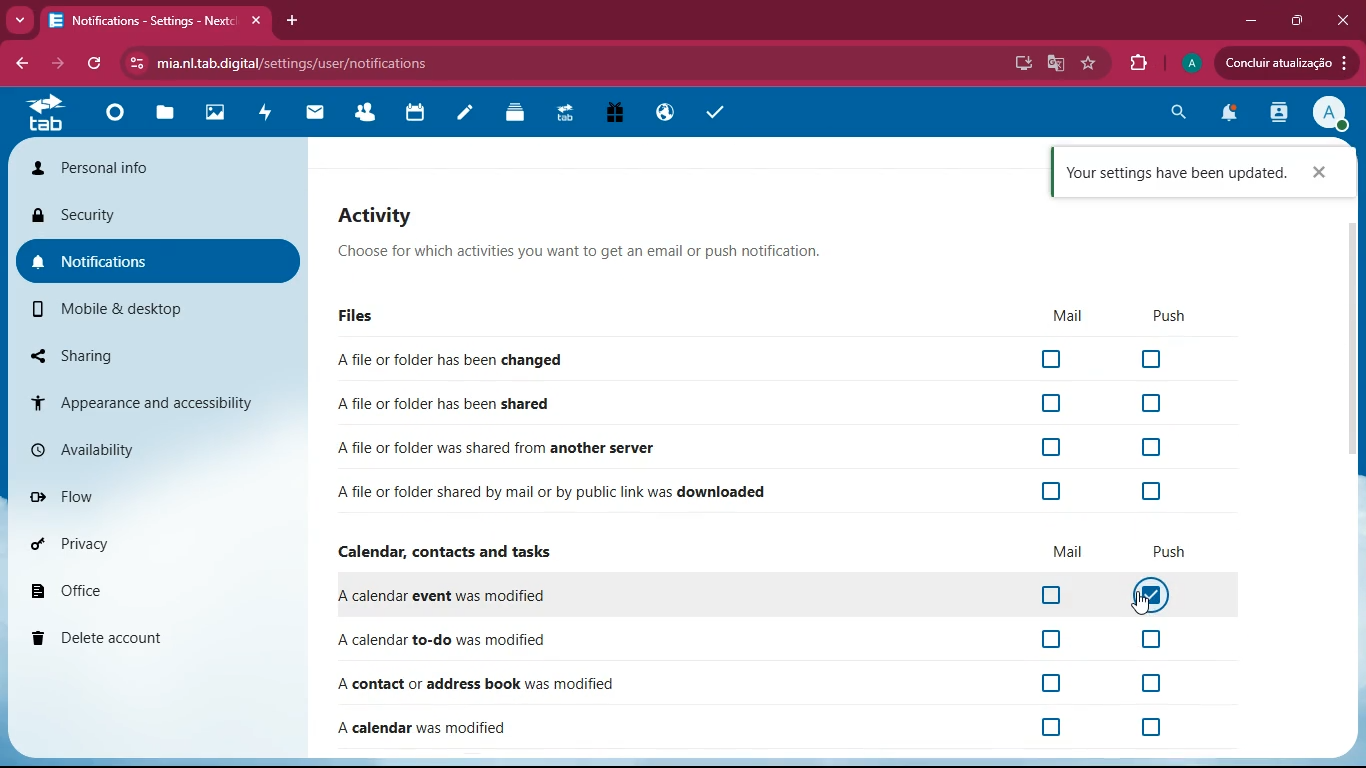  What do you see at coordinates (1252, 20) in the screenshot?
I see `minimize` at bounding box center [1252, 20].